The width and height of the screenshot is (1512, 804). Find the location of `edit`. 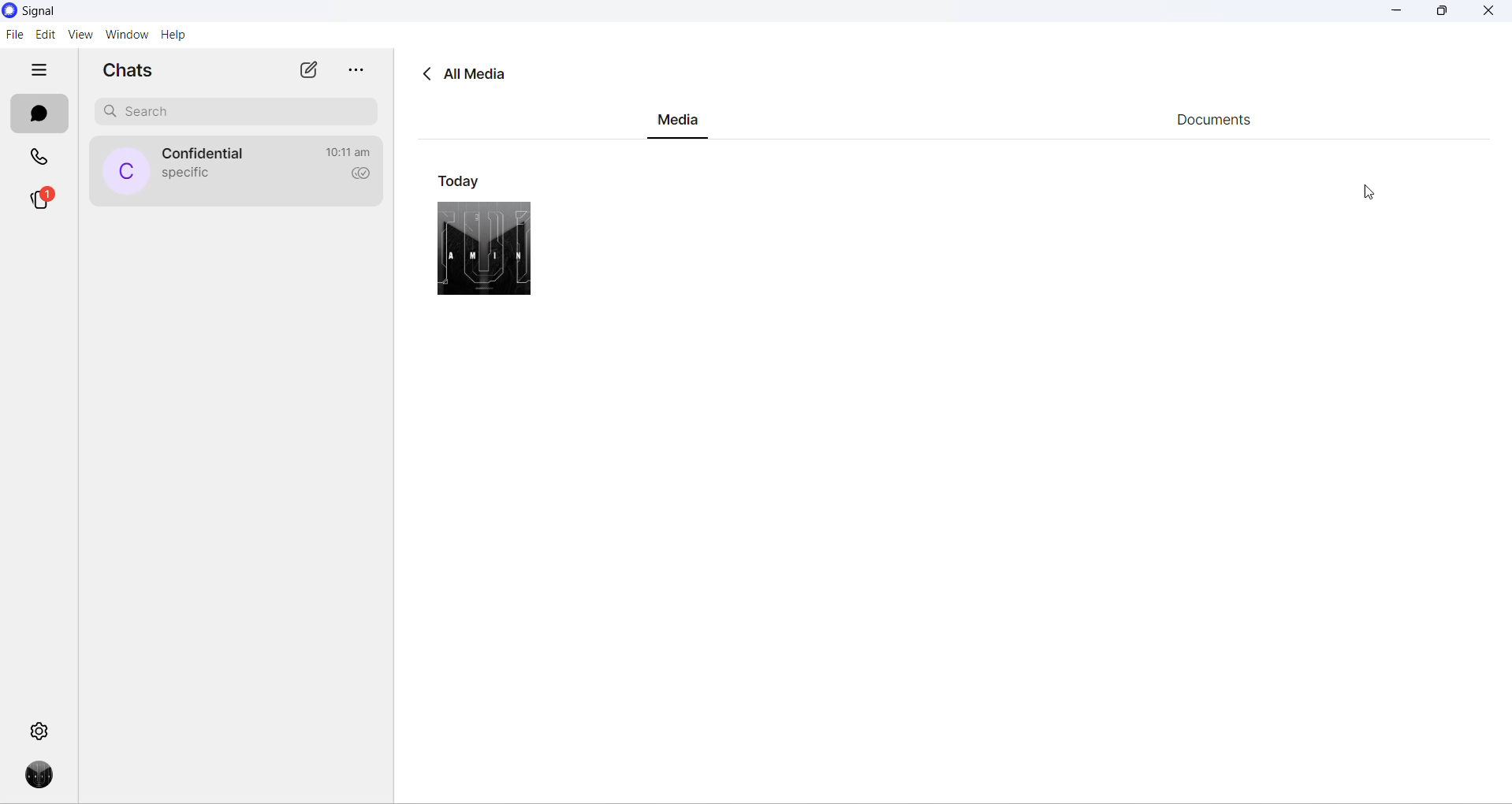

edit is located at coordinates (45, 35).